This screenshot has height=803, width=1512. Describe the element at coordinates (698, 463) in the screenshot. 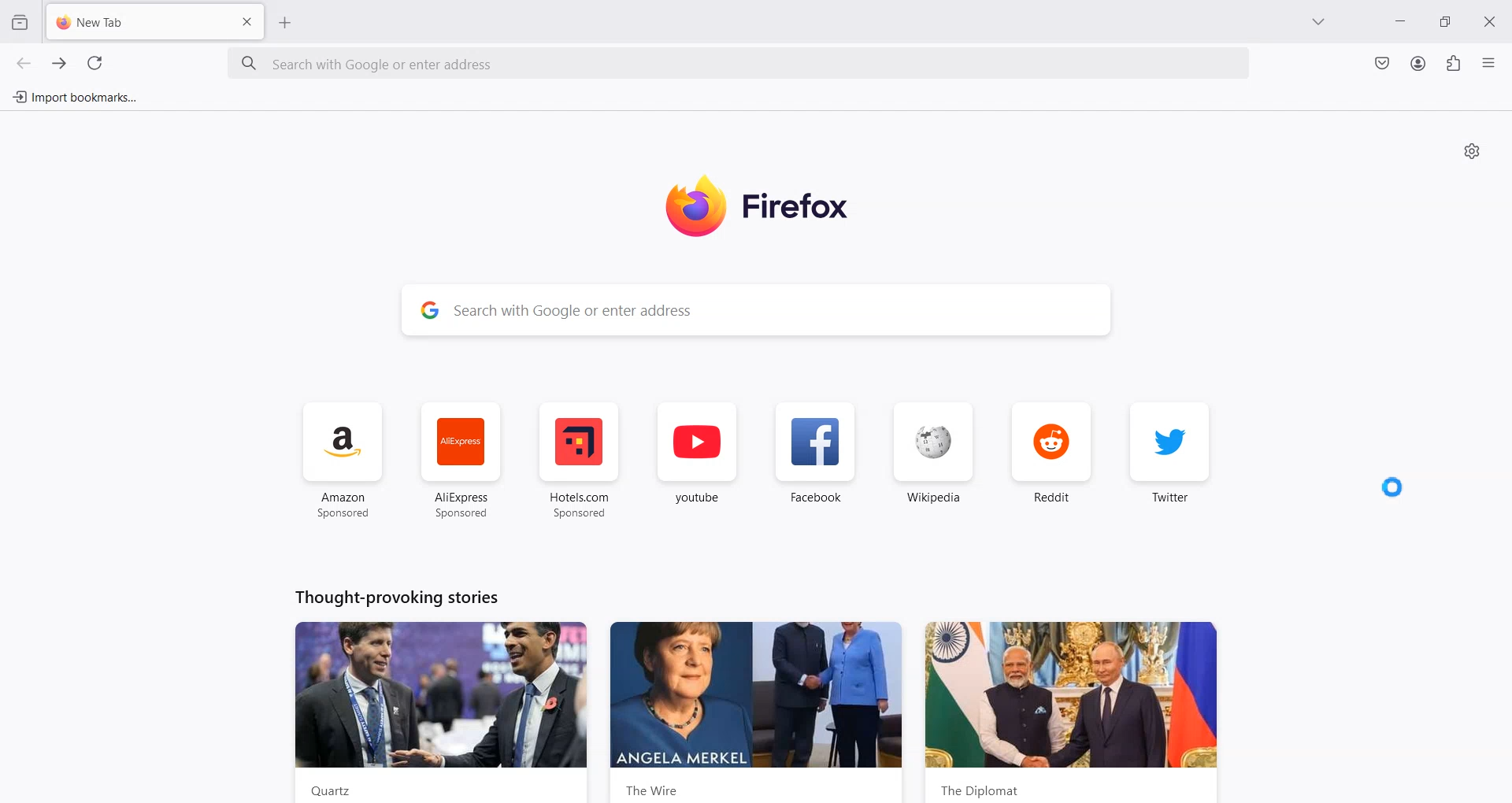

I see `youtube` at that location.